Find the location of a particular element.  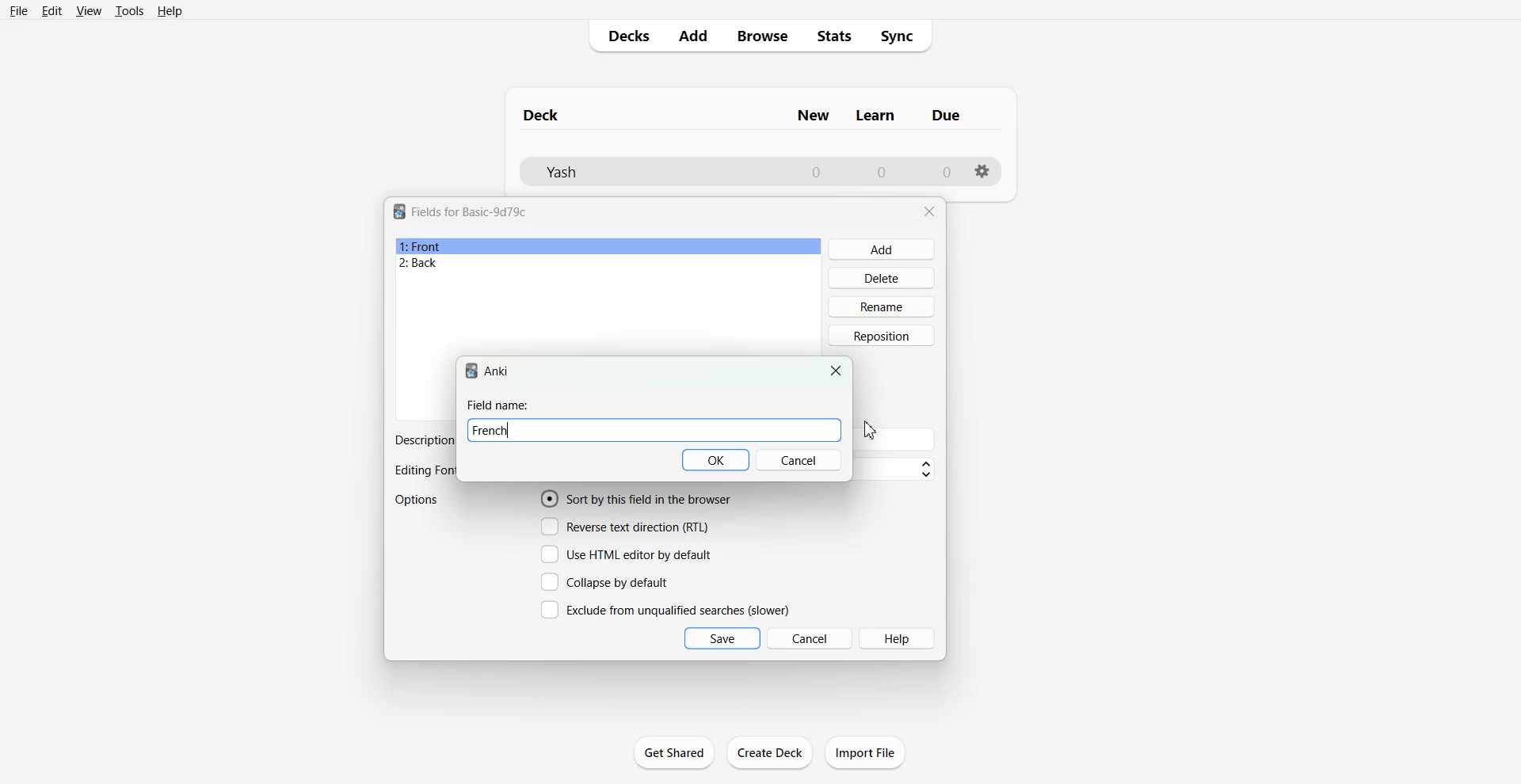

Reverse text direction (RTL) is located at coordinates (625, 527).